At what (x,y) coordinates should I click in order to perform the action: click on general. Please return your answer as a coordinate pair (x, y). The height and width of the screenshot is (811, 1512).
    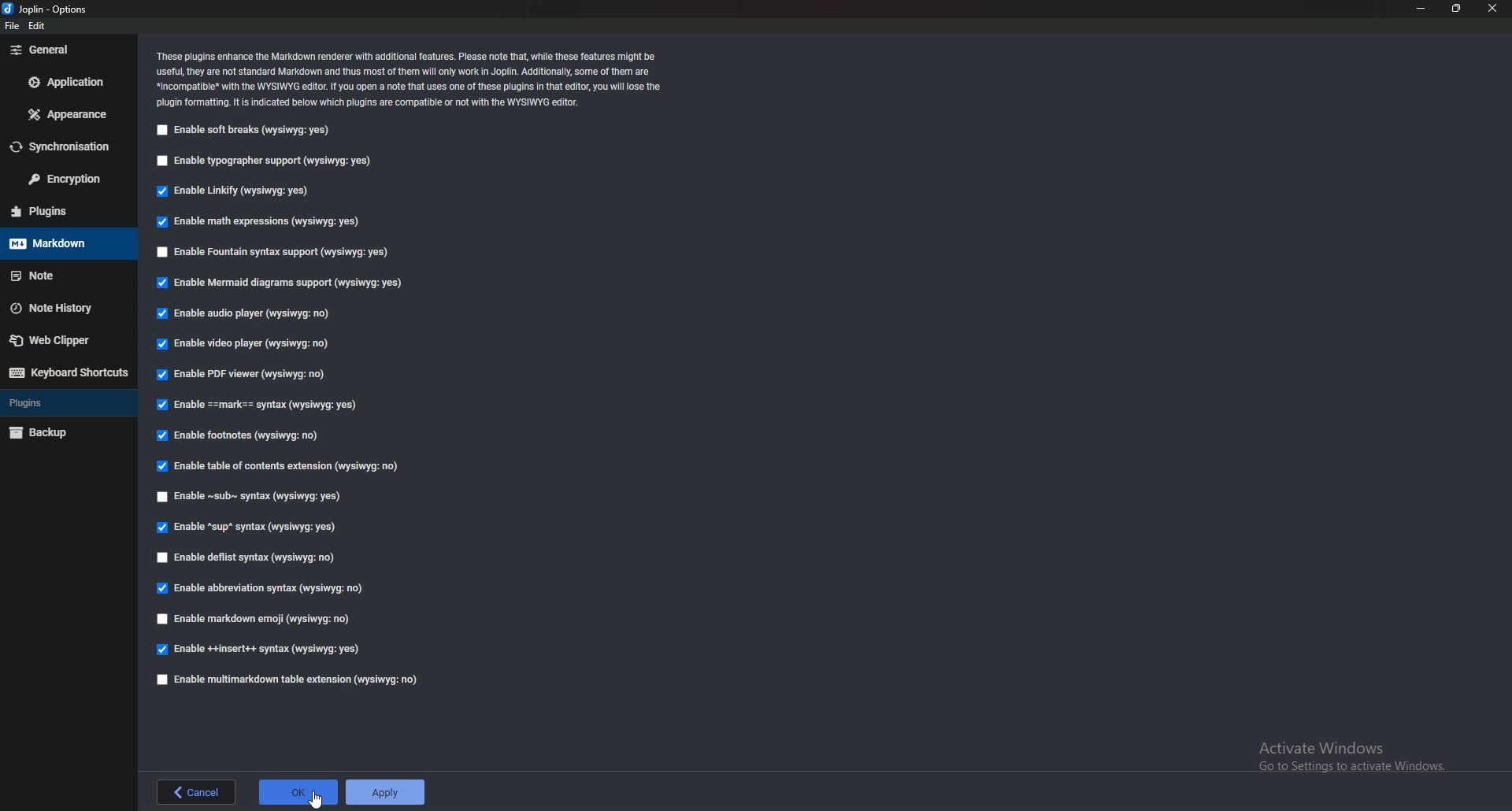
    Looking at the image, I should click on (66, 53).